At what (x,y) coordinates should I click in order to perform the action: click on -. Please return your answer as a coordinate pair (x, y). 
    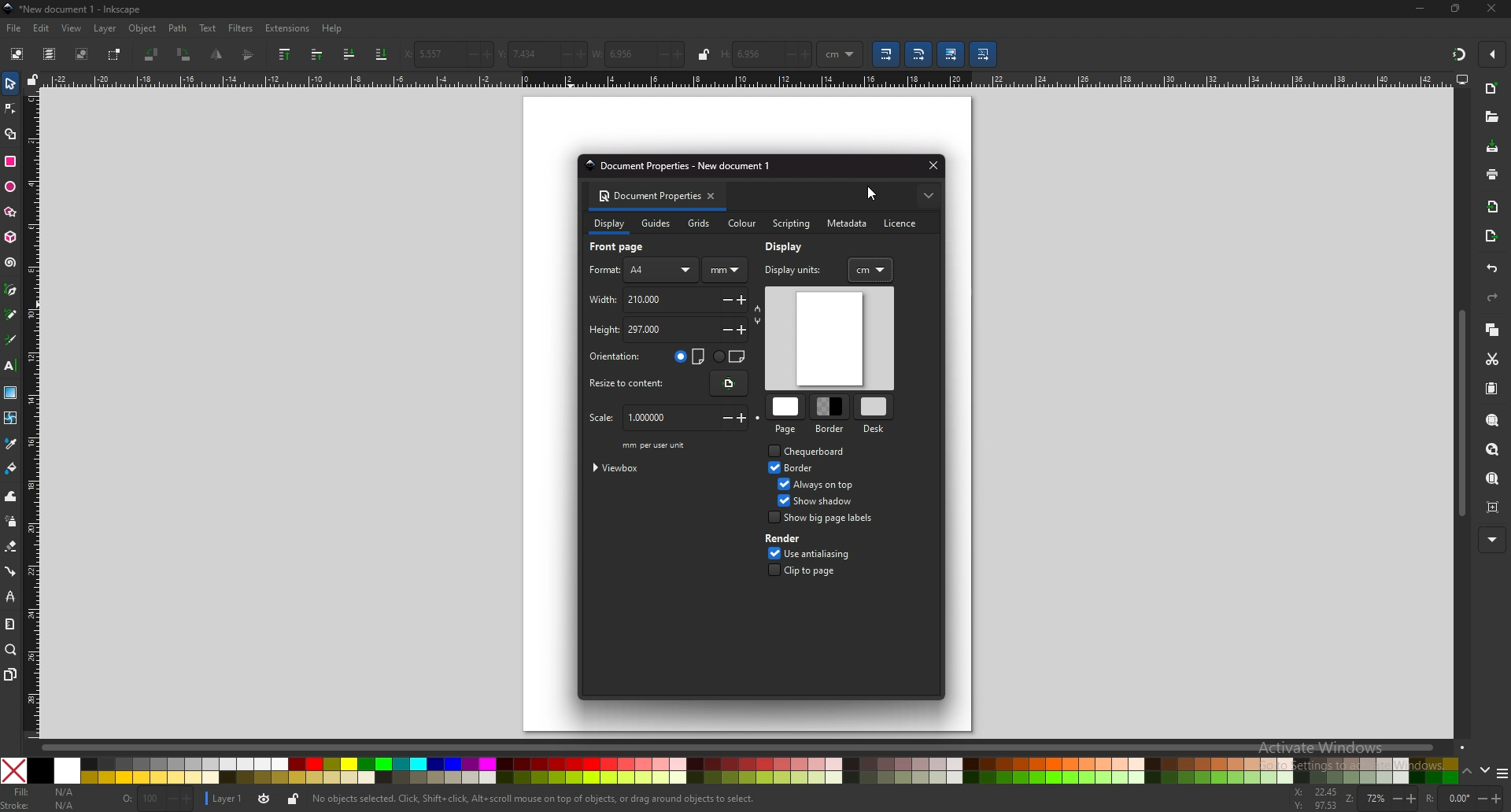
    Looking at the image, I should click on (722, 330).